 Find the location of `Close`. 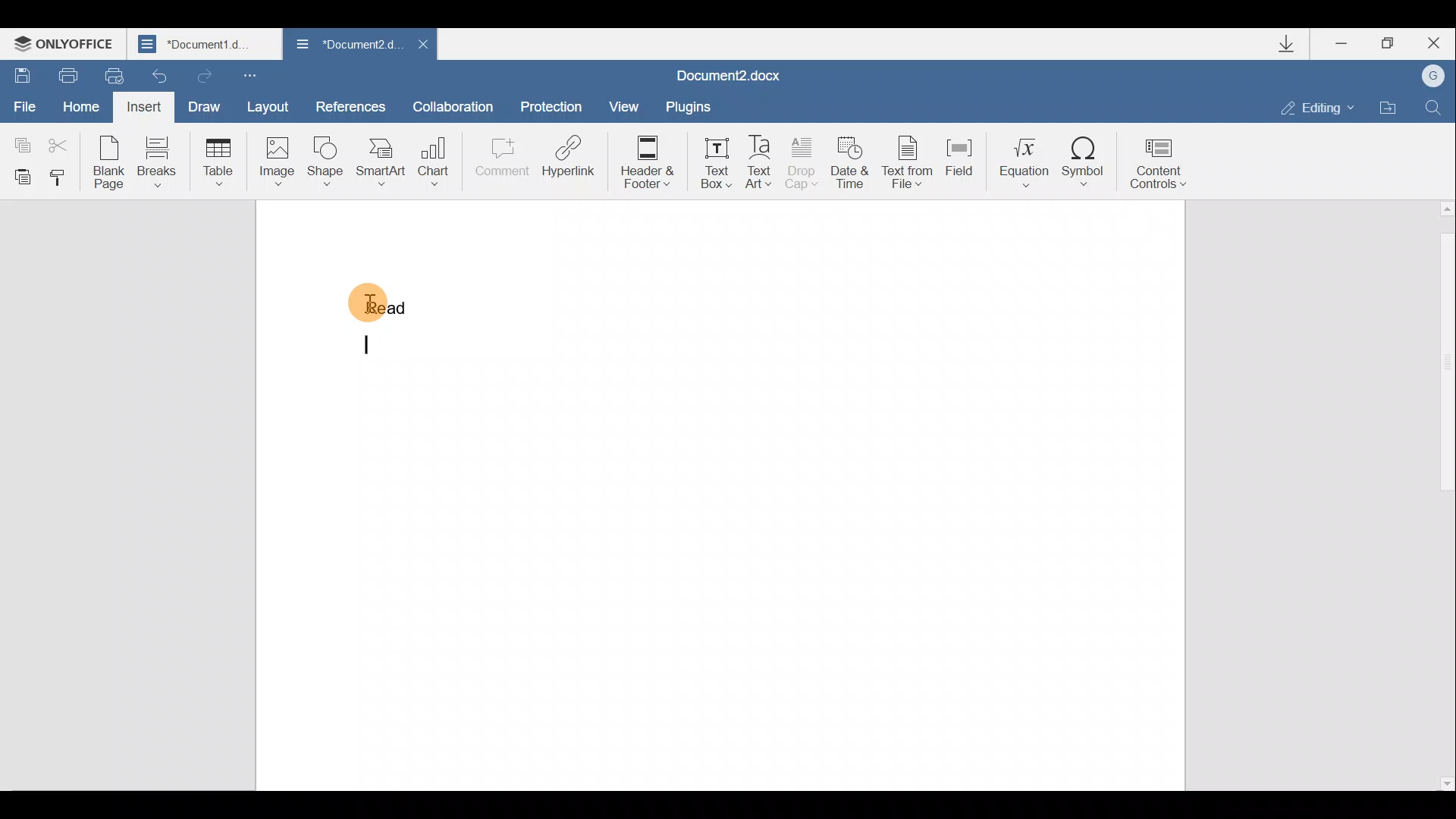

Close is located at coordinates (1439, 42).